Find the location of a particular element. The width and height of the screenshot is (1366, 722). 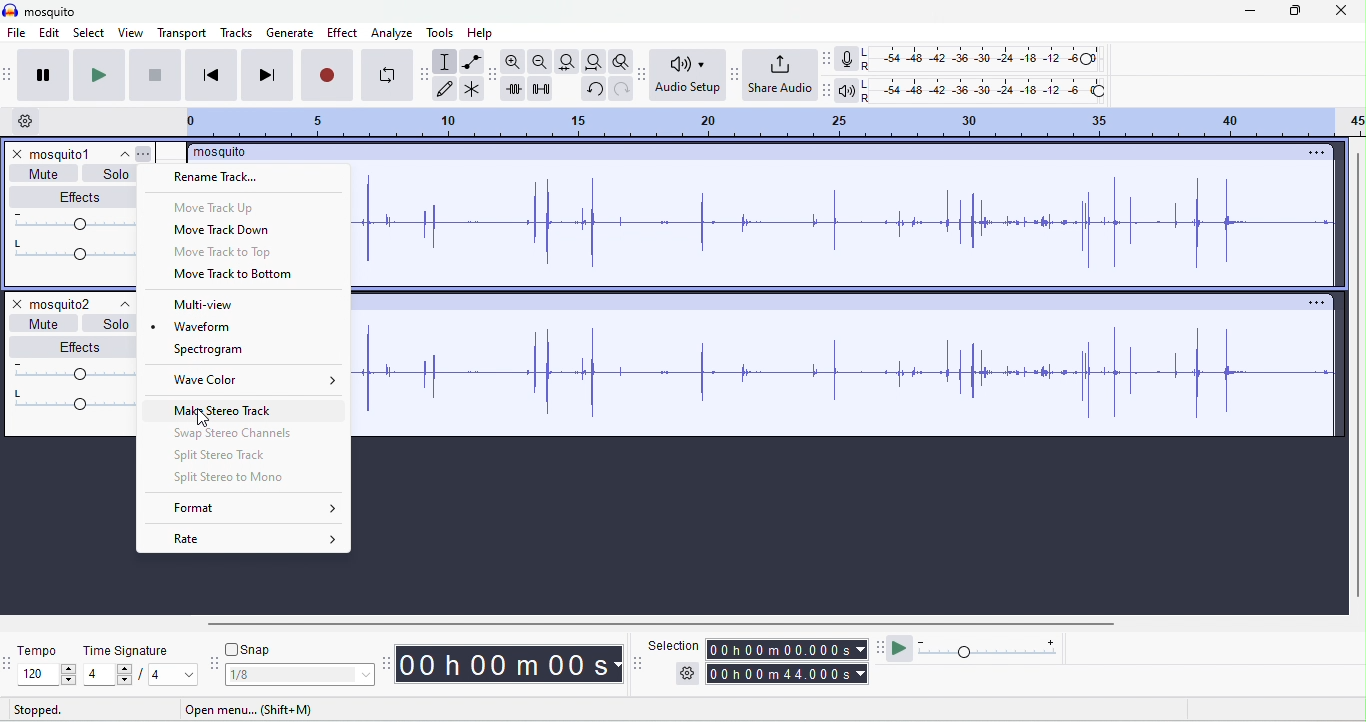

draw is located at coordinates (444, 89).